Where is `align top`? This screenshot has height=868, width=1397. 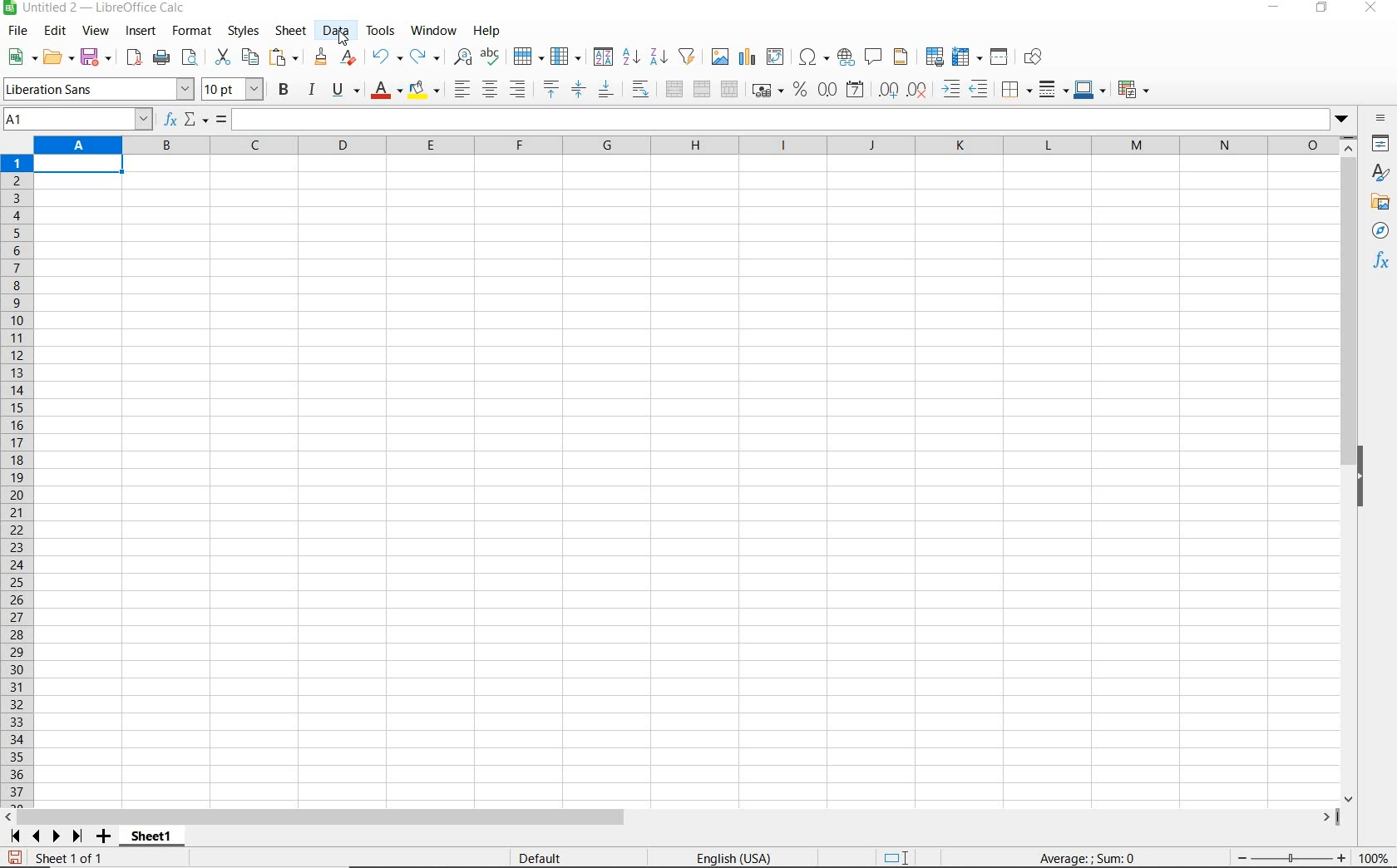 align top is located at coordinates (550, 90).